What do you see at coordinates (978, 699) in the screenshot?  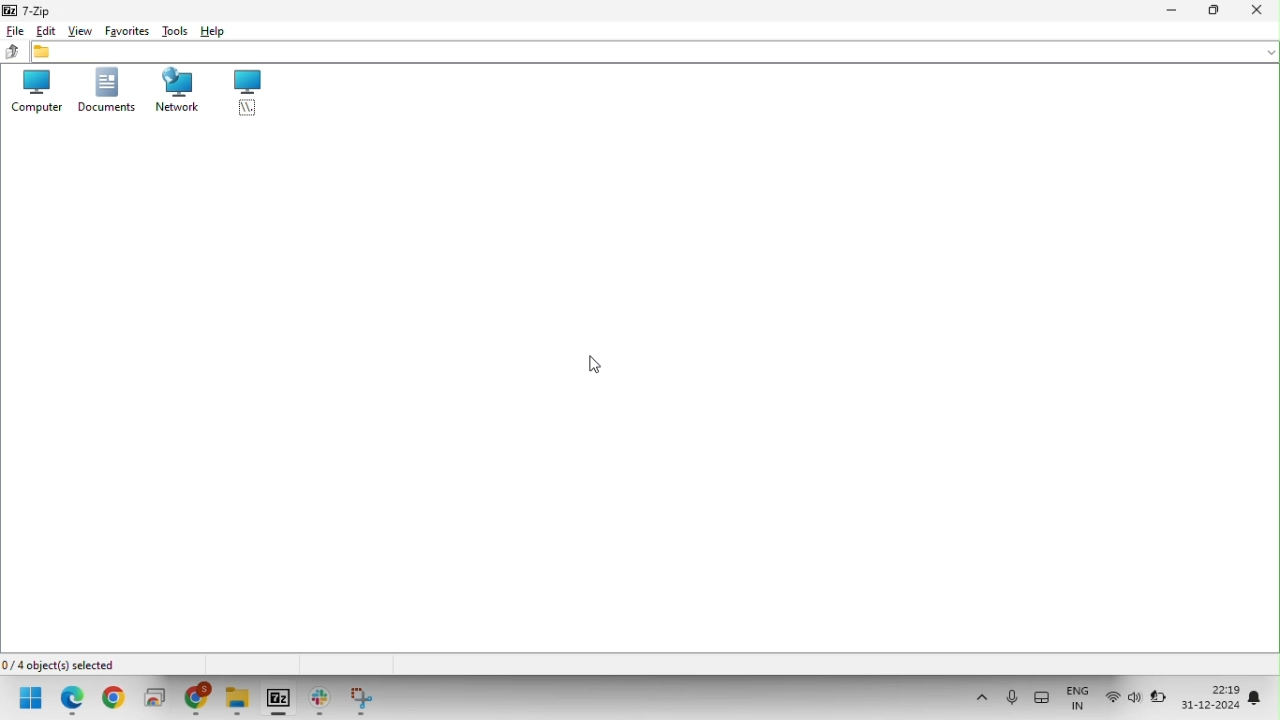 I see `more` at bounding box center [978, 699].